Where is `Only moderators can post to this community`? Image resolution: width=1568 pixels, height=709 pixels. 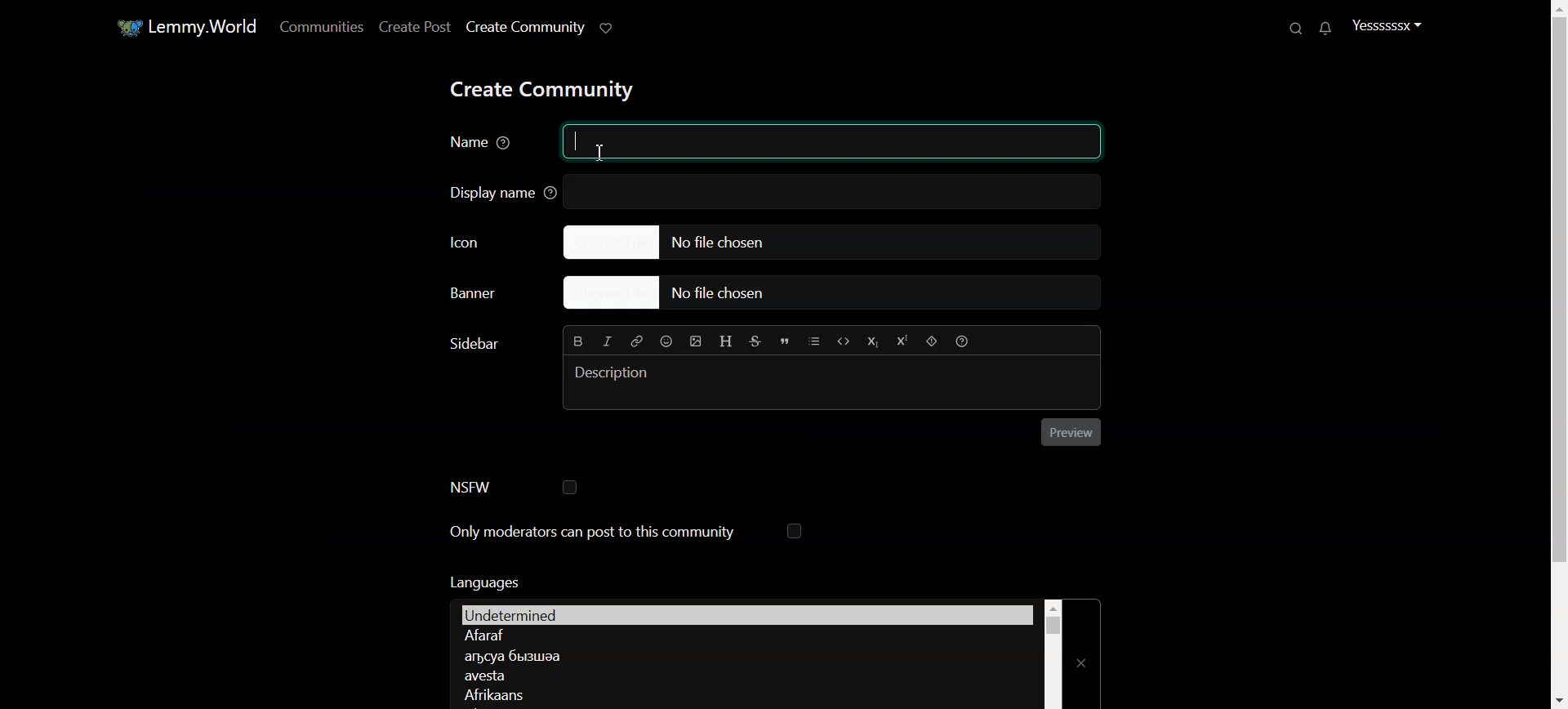
Only moderators can post to this community is located at coordinates (626, 533).